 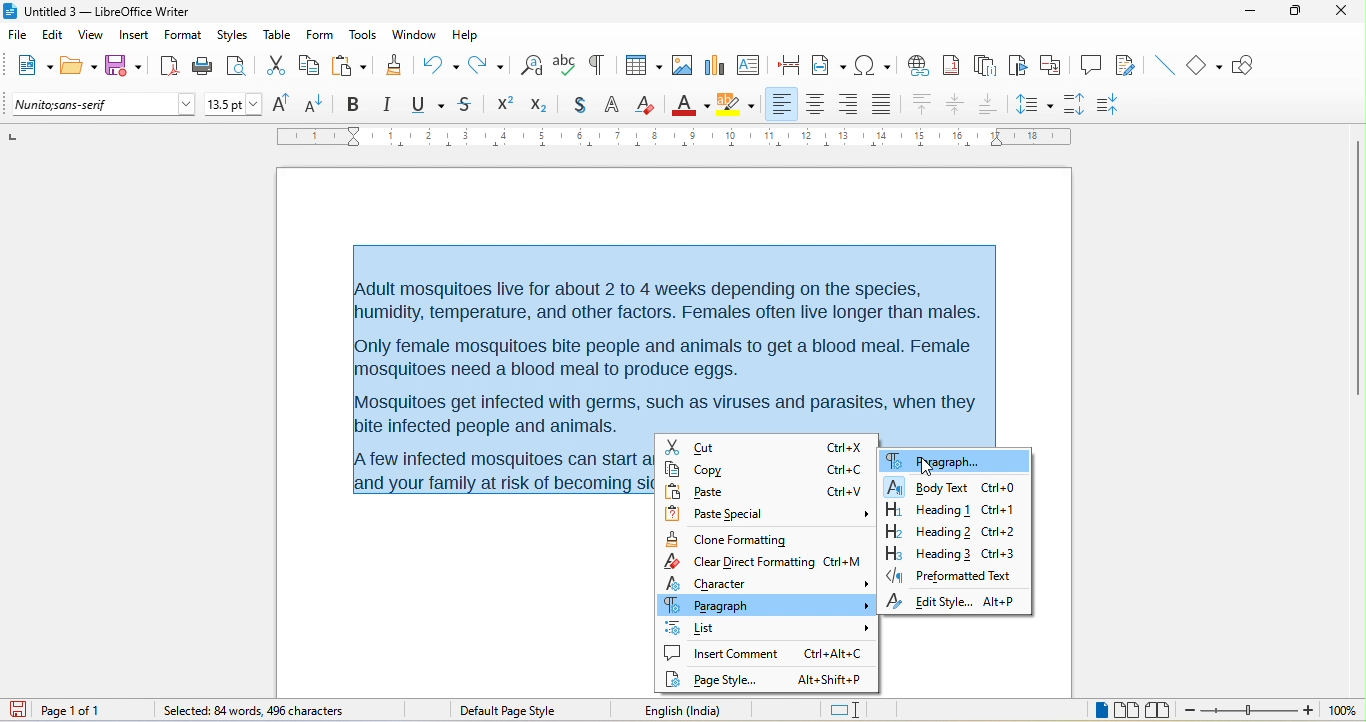 What do you see at coordinates (278, 34) in the screenshot?
I see `table` at bounding box center [278, 34].